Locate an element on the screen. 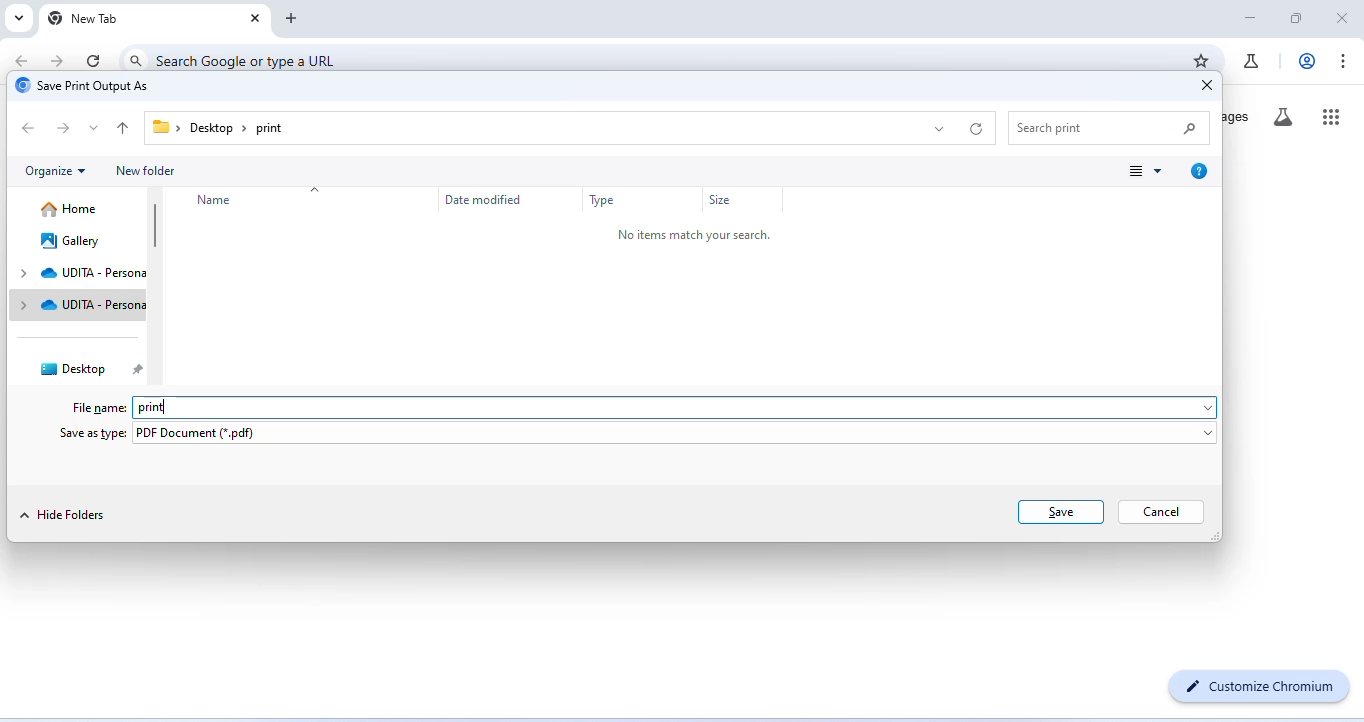  date modified is located at coordinates (476, 199).